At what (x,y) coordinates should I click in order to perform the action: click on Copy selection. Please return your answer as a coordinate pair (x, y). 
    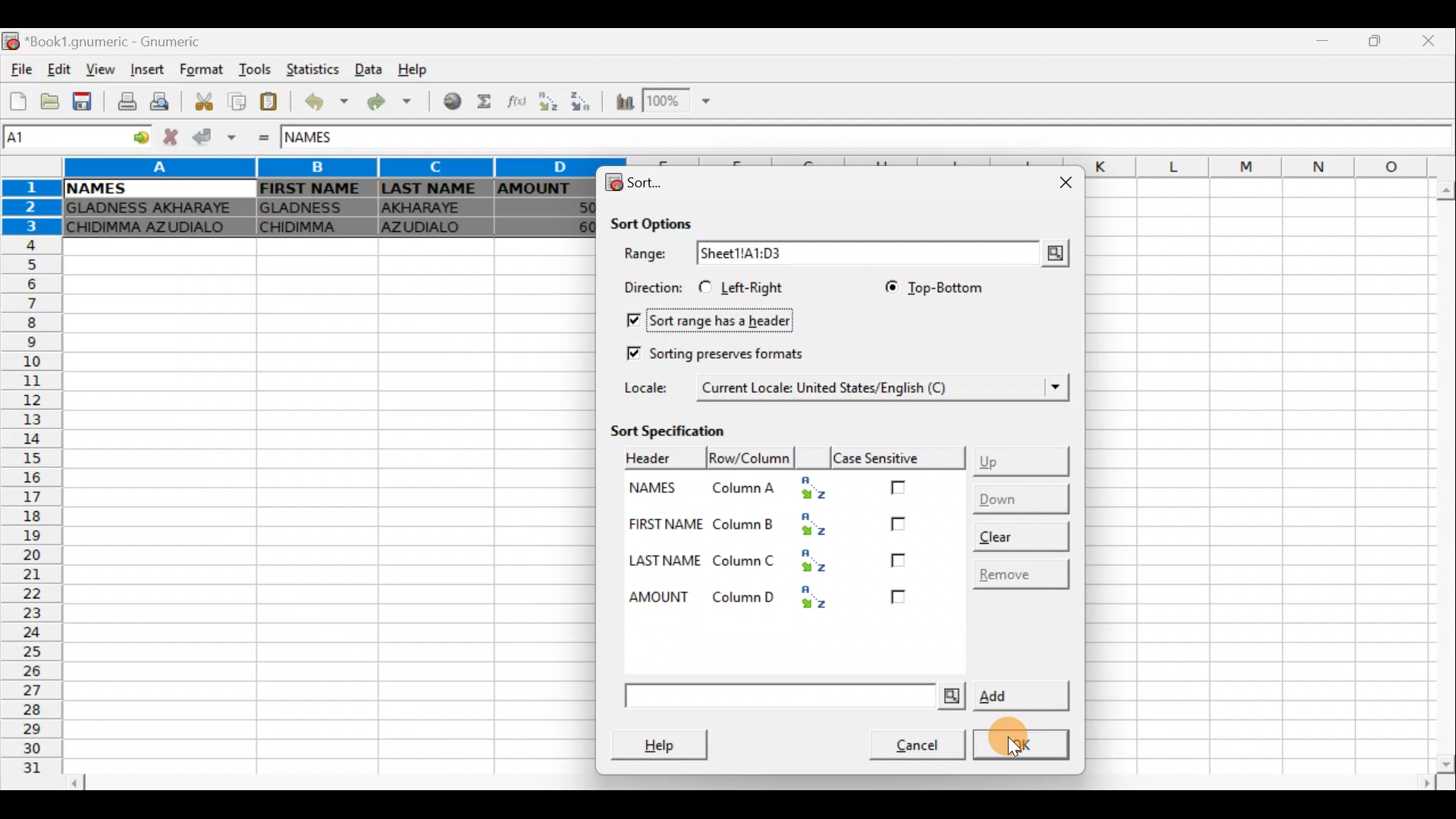
    Looking at the image, I should click on (237, 102).